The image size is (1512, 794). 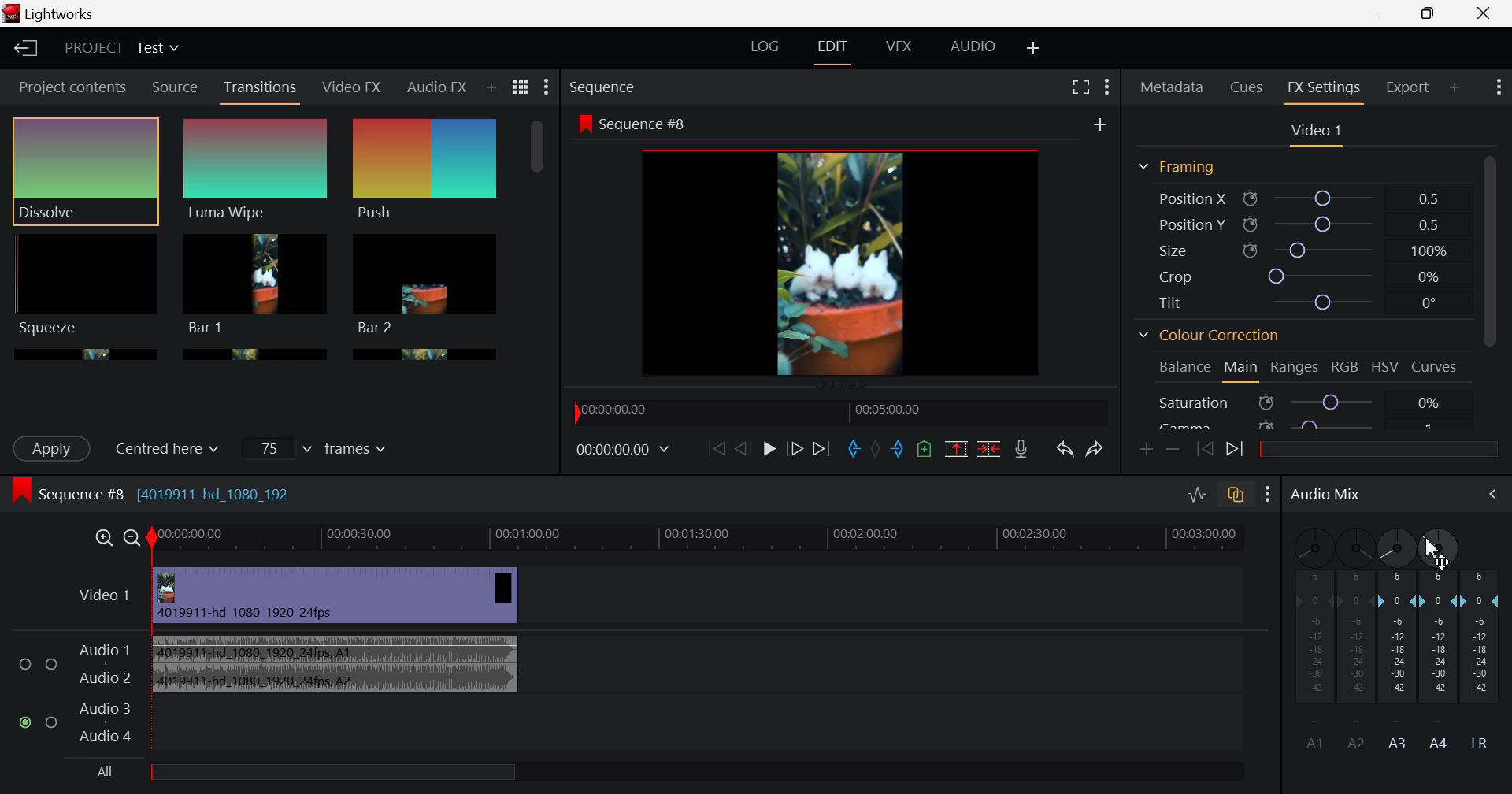 I want to click on Centered here, so click(x=174, y=447).